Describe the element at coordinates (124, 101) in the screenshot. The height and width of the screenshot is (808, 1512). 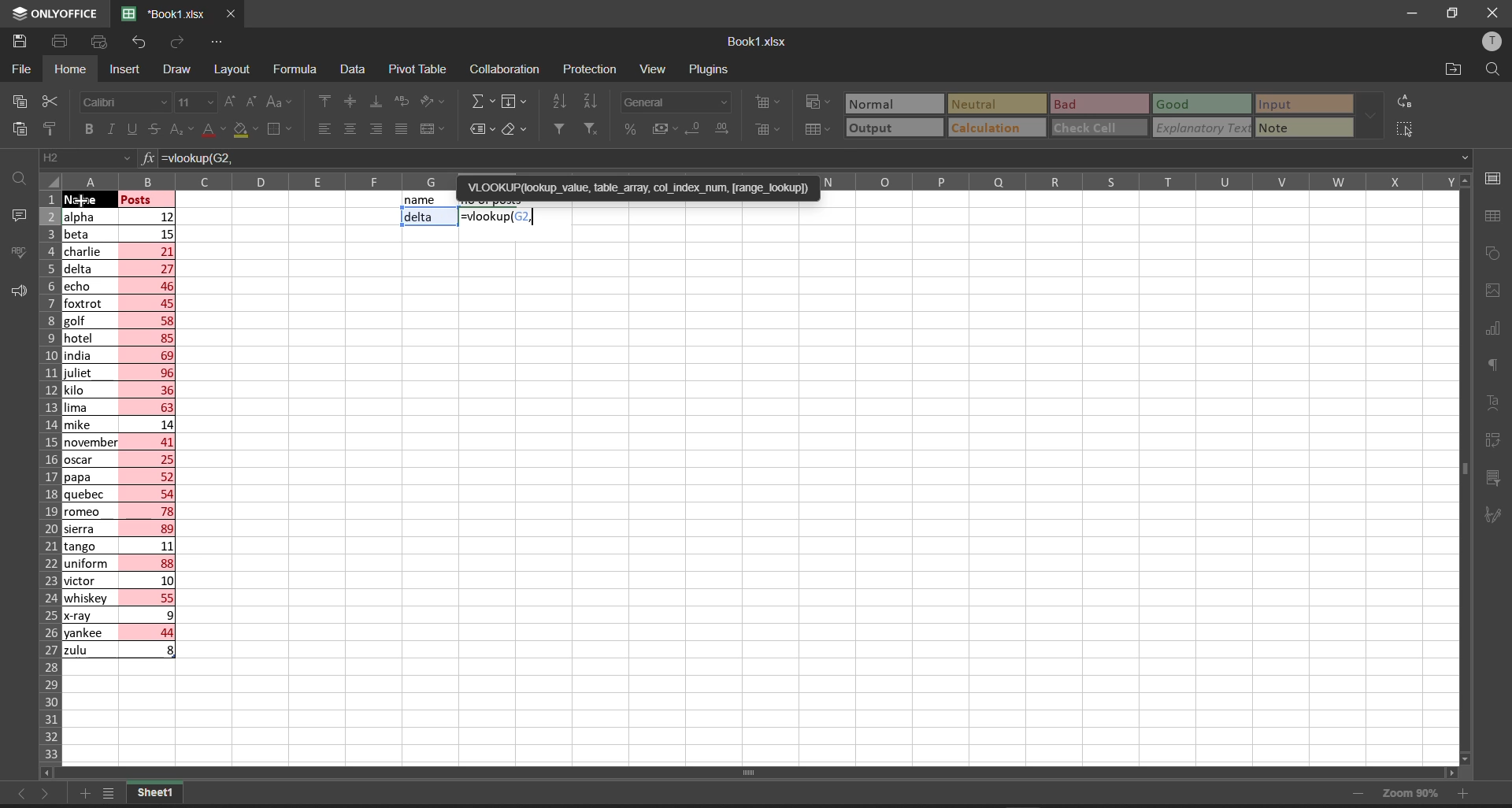
I see `font` at that location.